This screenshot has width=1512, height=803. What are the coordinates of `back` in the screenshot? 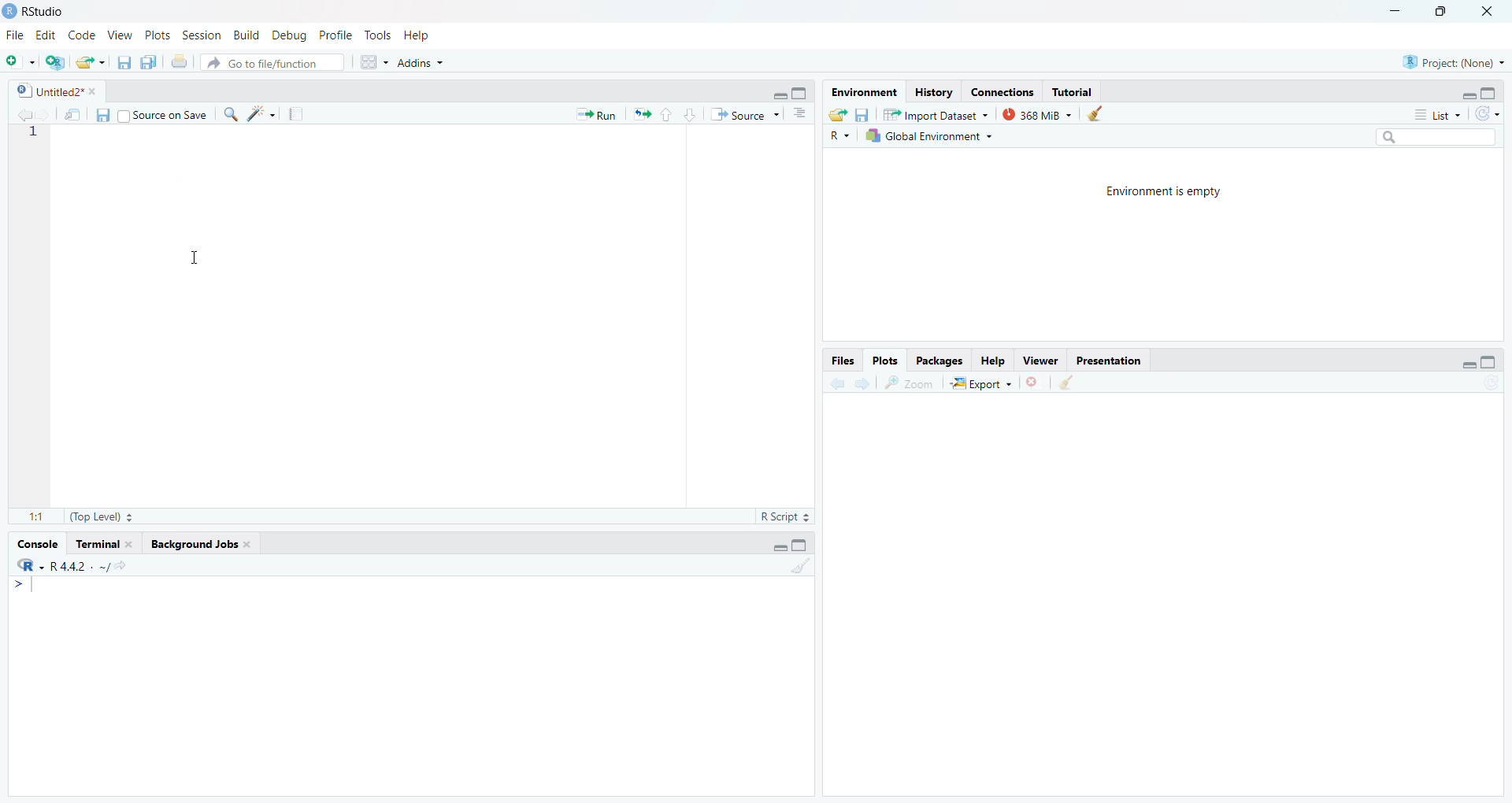 It's located at (25, 115).